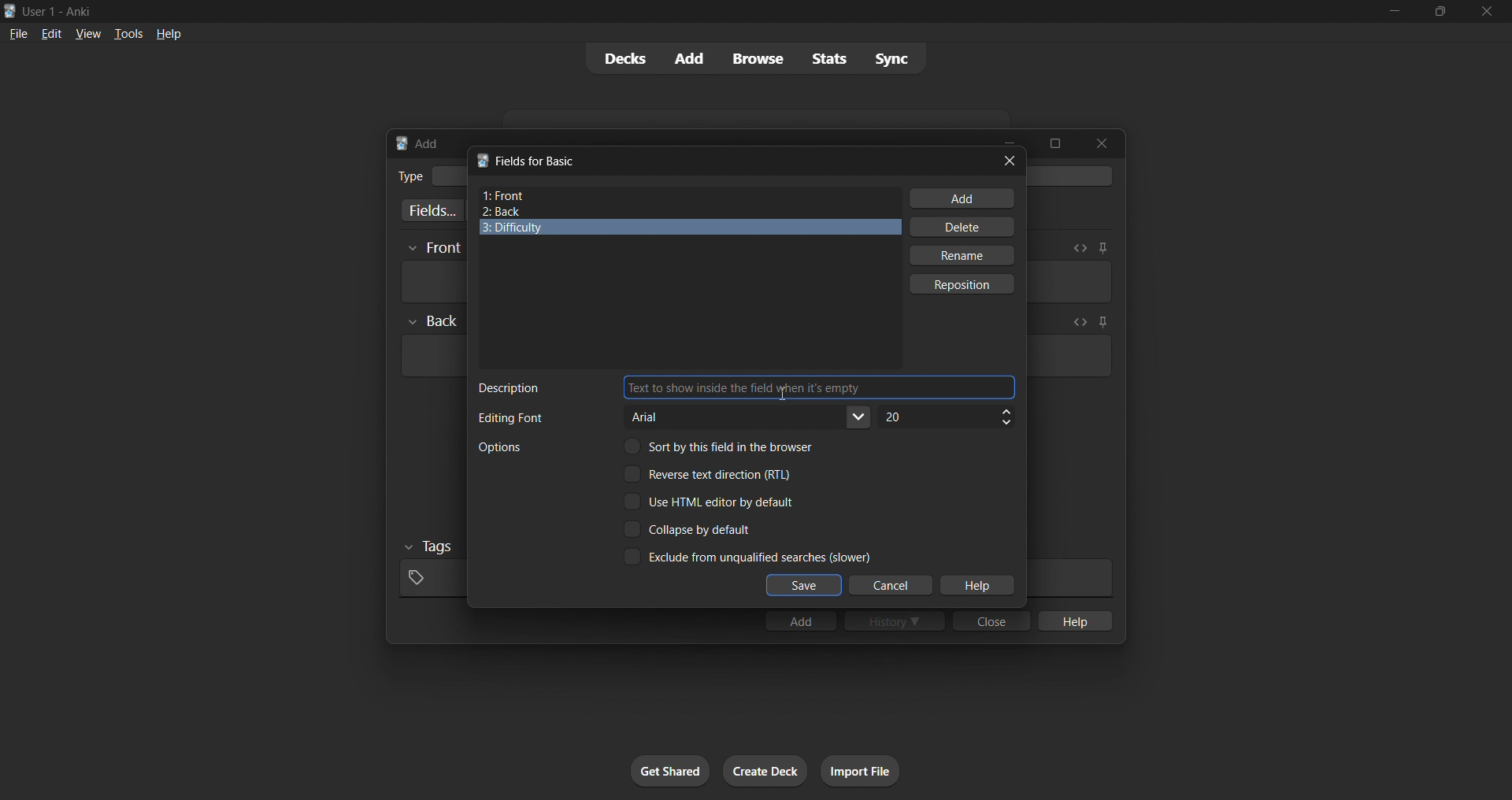 The height and width of the screenshot is (800, 1512). Describe the element at coordinates (430, 579) in the screenshot. I see `card tags input` at that location.